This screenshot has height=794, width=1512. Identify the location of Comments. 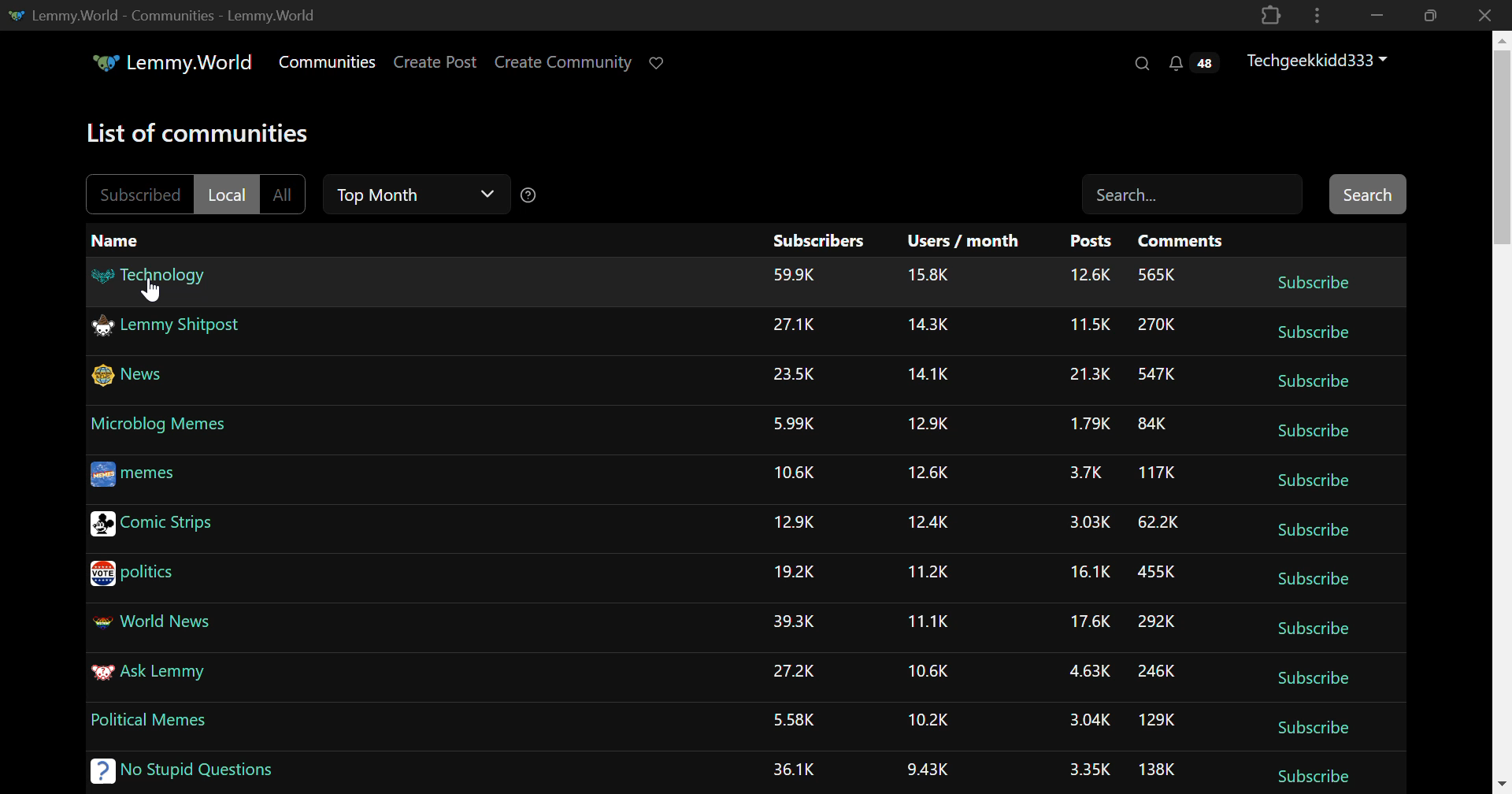
(1183, 241).